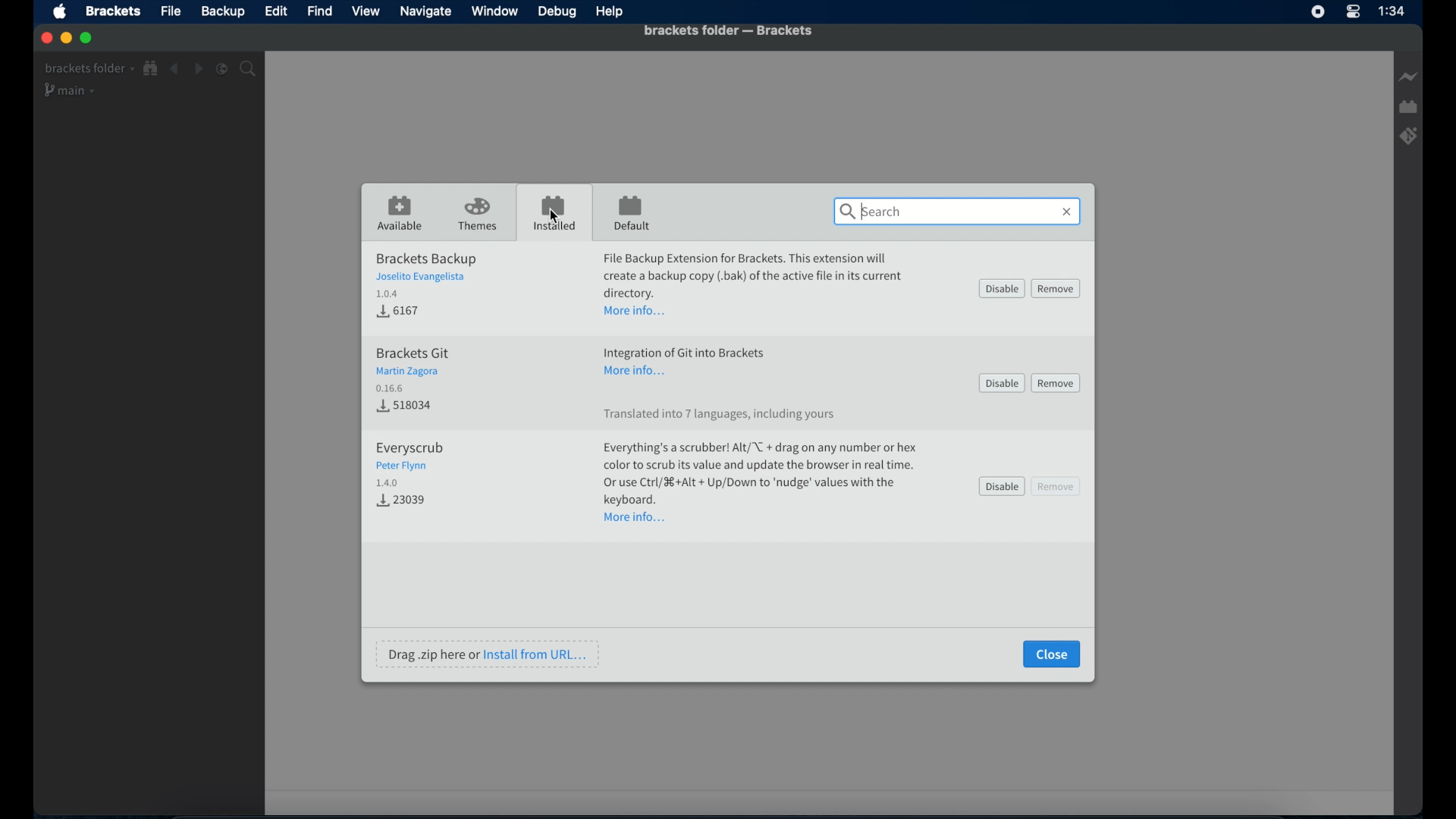 The height and width of the screenshot is (819, 1456). What do you see at coordinates (1408, 77) in the screenshot?
I see `Live preview` at bounding box center [1408, 77].